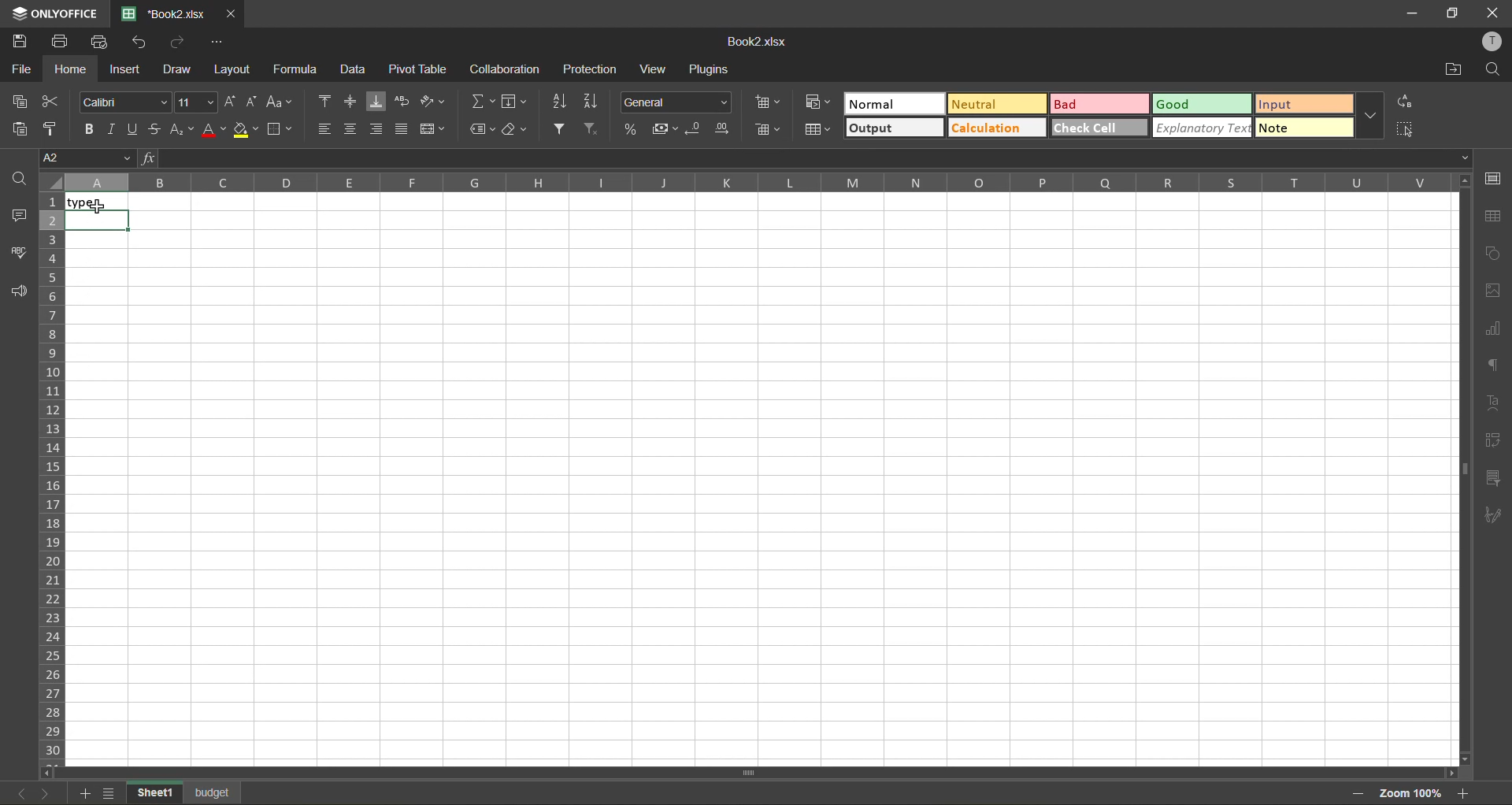 Image resolution: width=1512 pixels, height=805 pixels. I want to click on neutral, so click(999, 103).